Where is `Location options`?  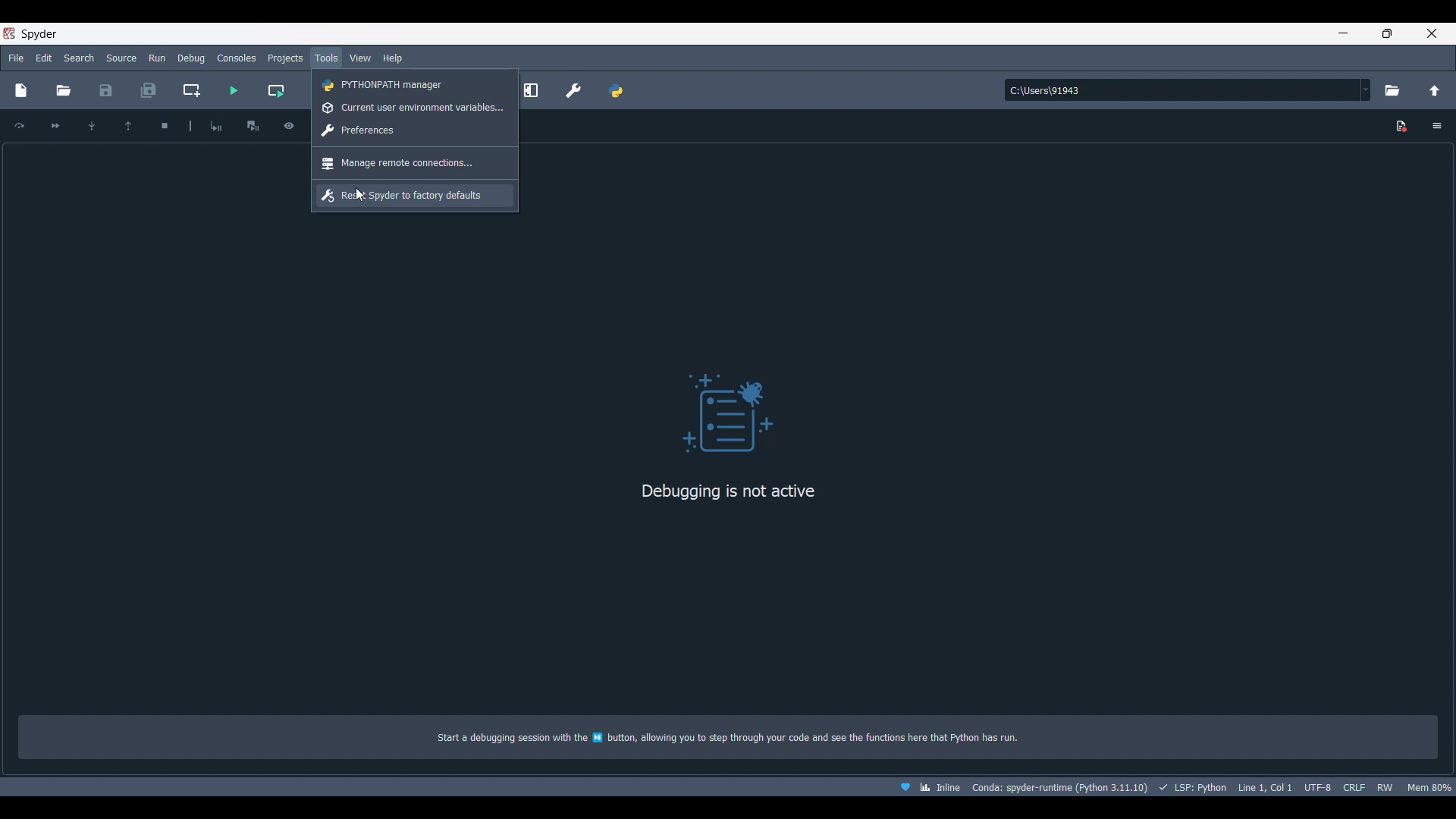 Location options is located at coordinates (1367, 89).